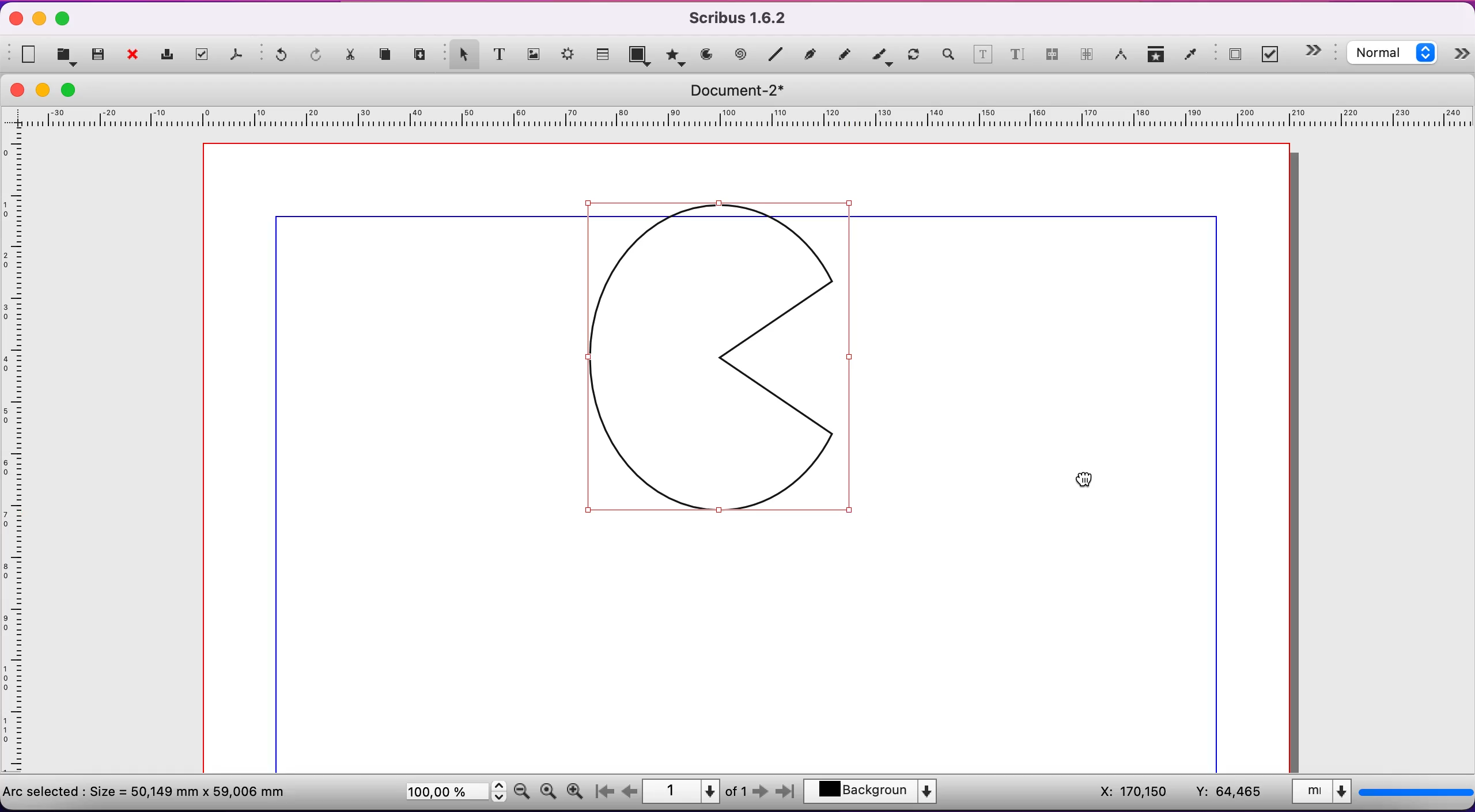  Describe the element at coordinates (534, 52) in the screenshot. I see `image frame` at that location.